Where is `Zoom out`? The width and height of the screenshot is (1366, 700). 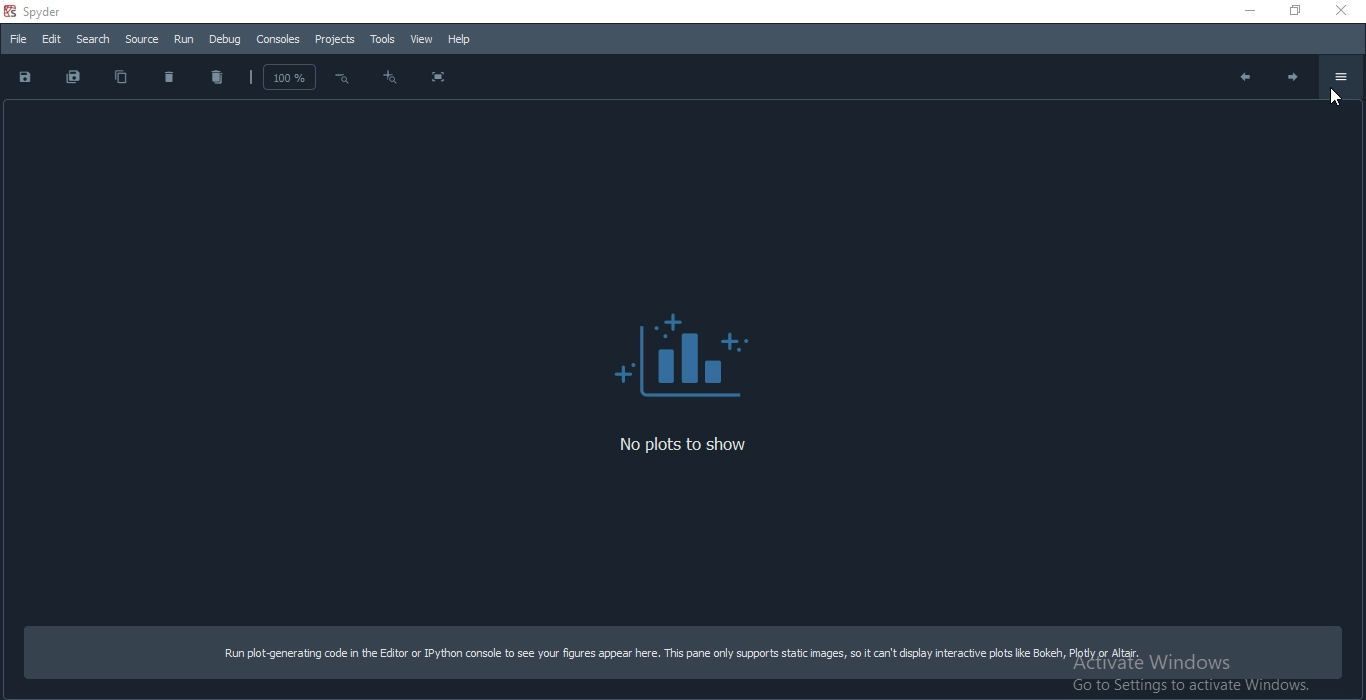 Zoom out is located at coordinates (389, 80).